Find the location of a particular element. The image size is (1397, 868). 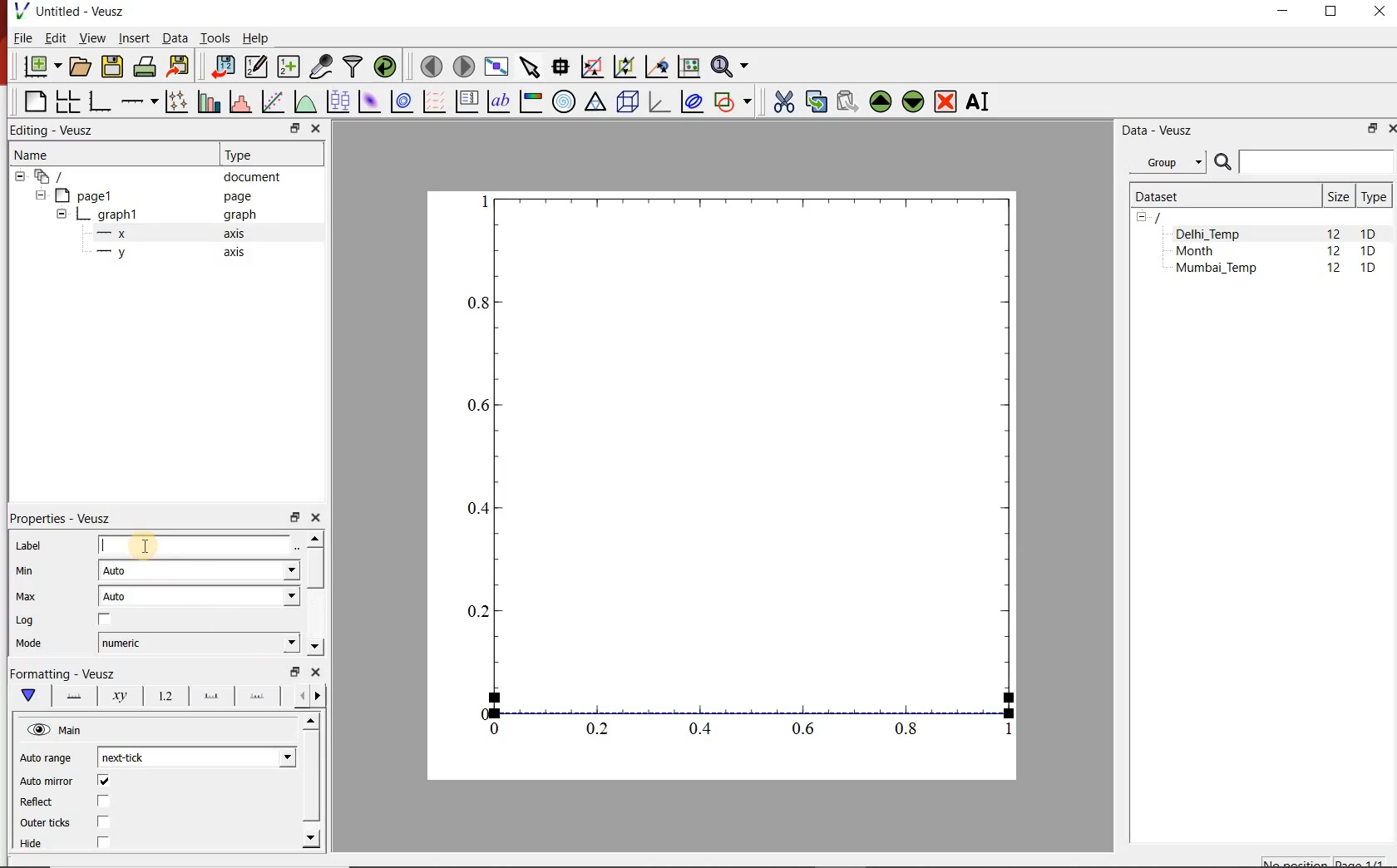

plot a 2d dataset as an image is located at coordinates (371, 101).